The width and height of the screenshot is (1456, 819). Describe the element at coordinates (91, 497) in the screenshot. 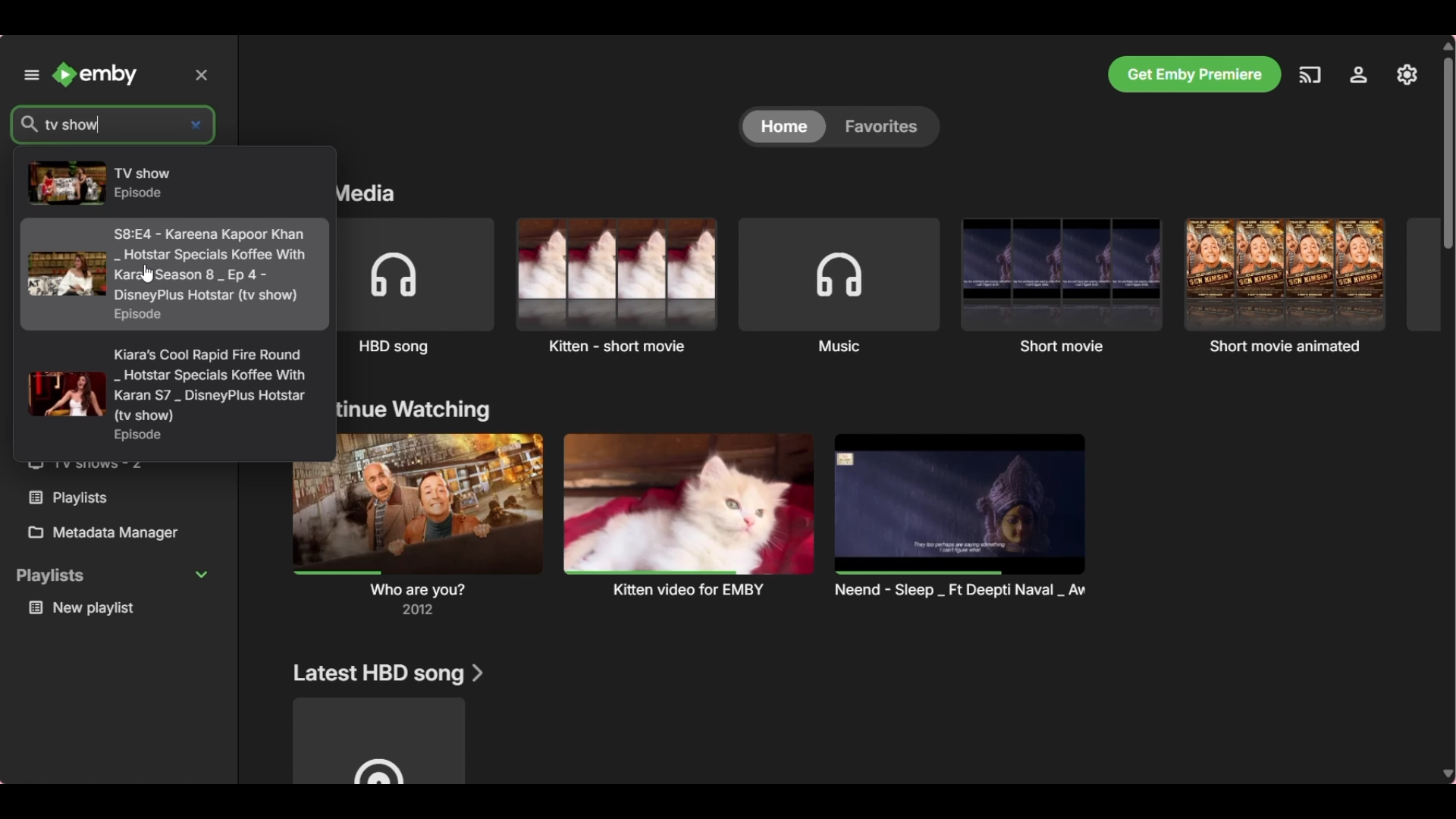

I see `` at that location.